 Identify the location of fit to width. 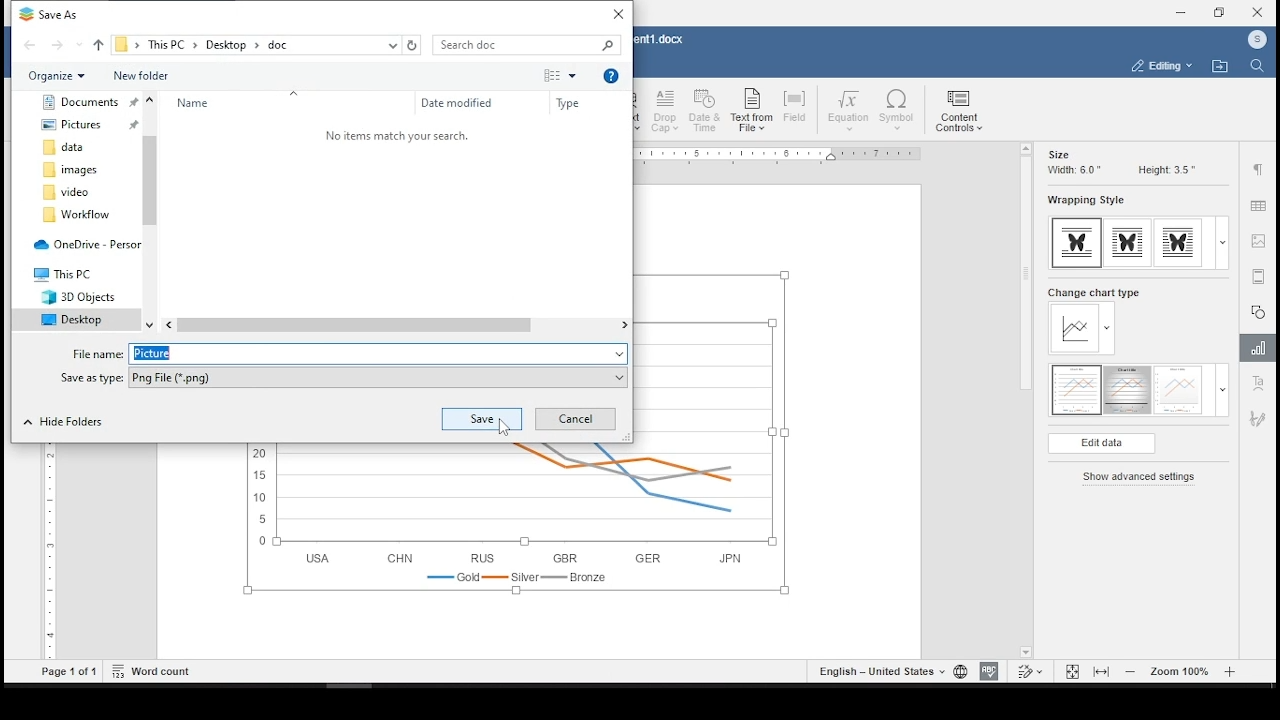
(1104, 670).